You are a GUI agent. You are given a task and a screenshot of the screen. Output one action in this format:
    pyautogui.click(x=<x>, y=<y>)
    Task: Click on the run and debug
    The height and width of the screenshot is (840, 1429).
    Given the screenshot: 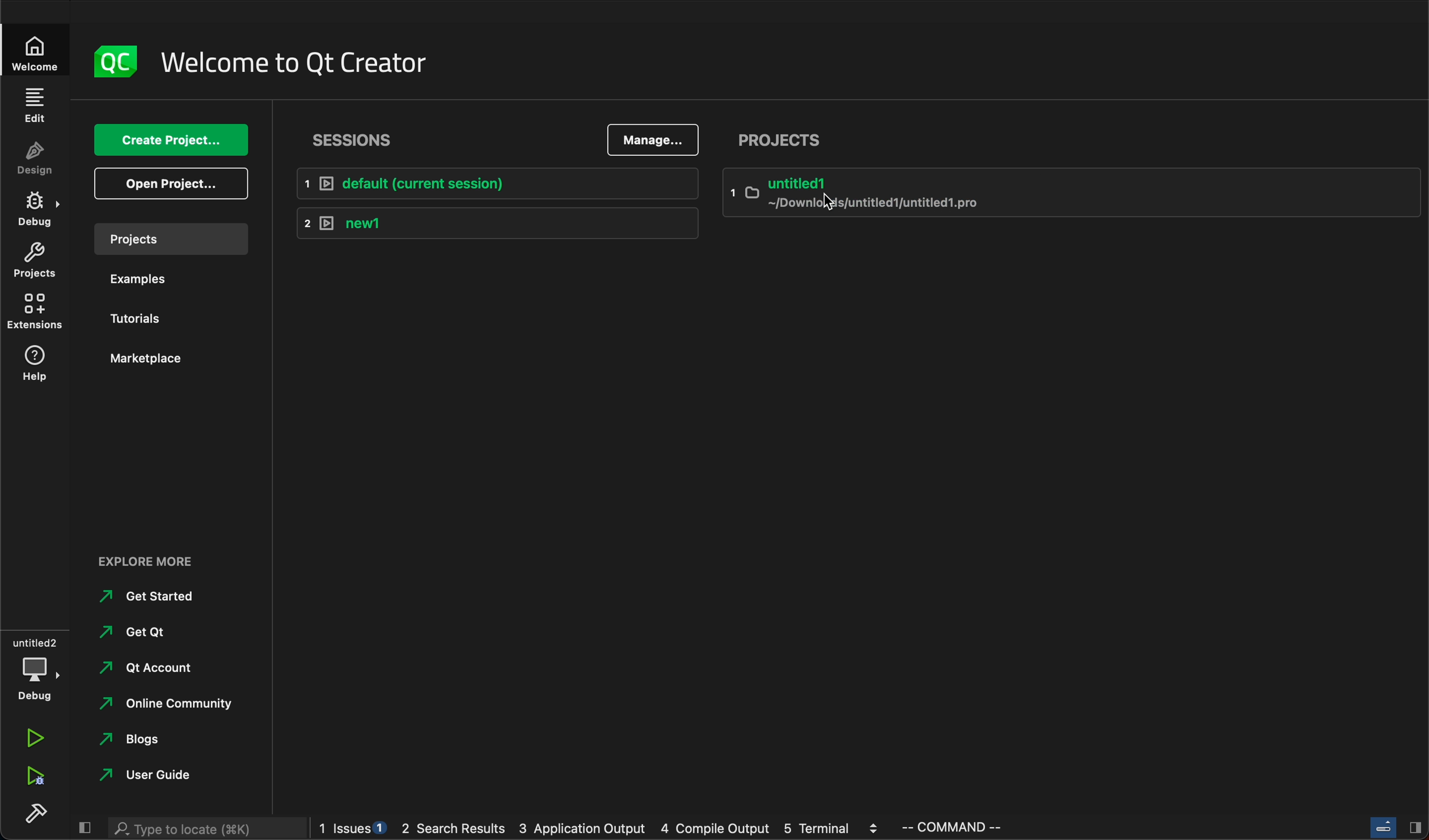 What is the action you would take?
    pyautogui.click(x=33, y=778)
    